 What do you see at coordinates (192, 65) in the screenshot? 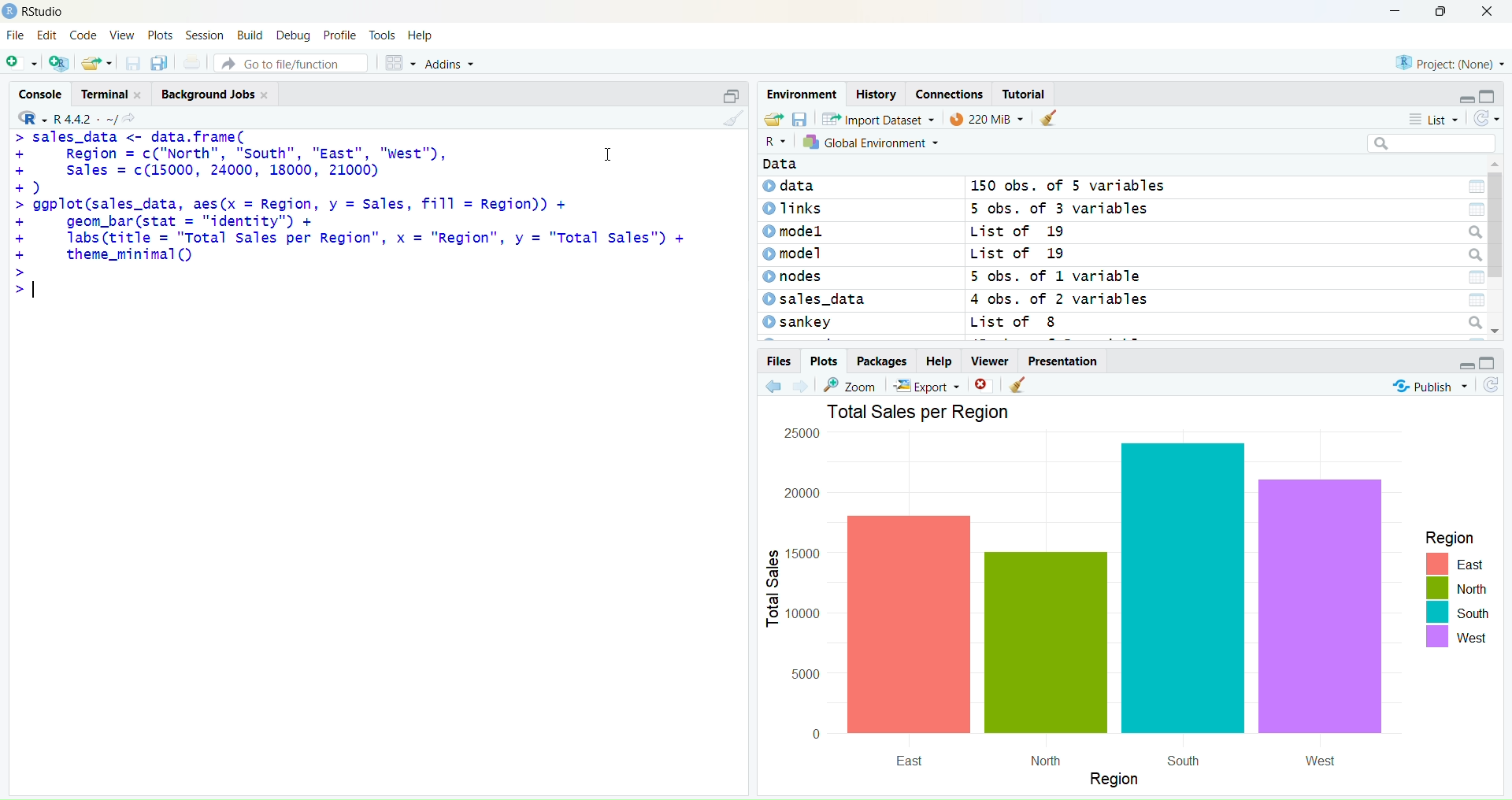
I see `print` at bounding box center [192, 65].